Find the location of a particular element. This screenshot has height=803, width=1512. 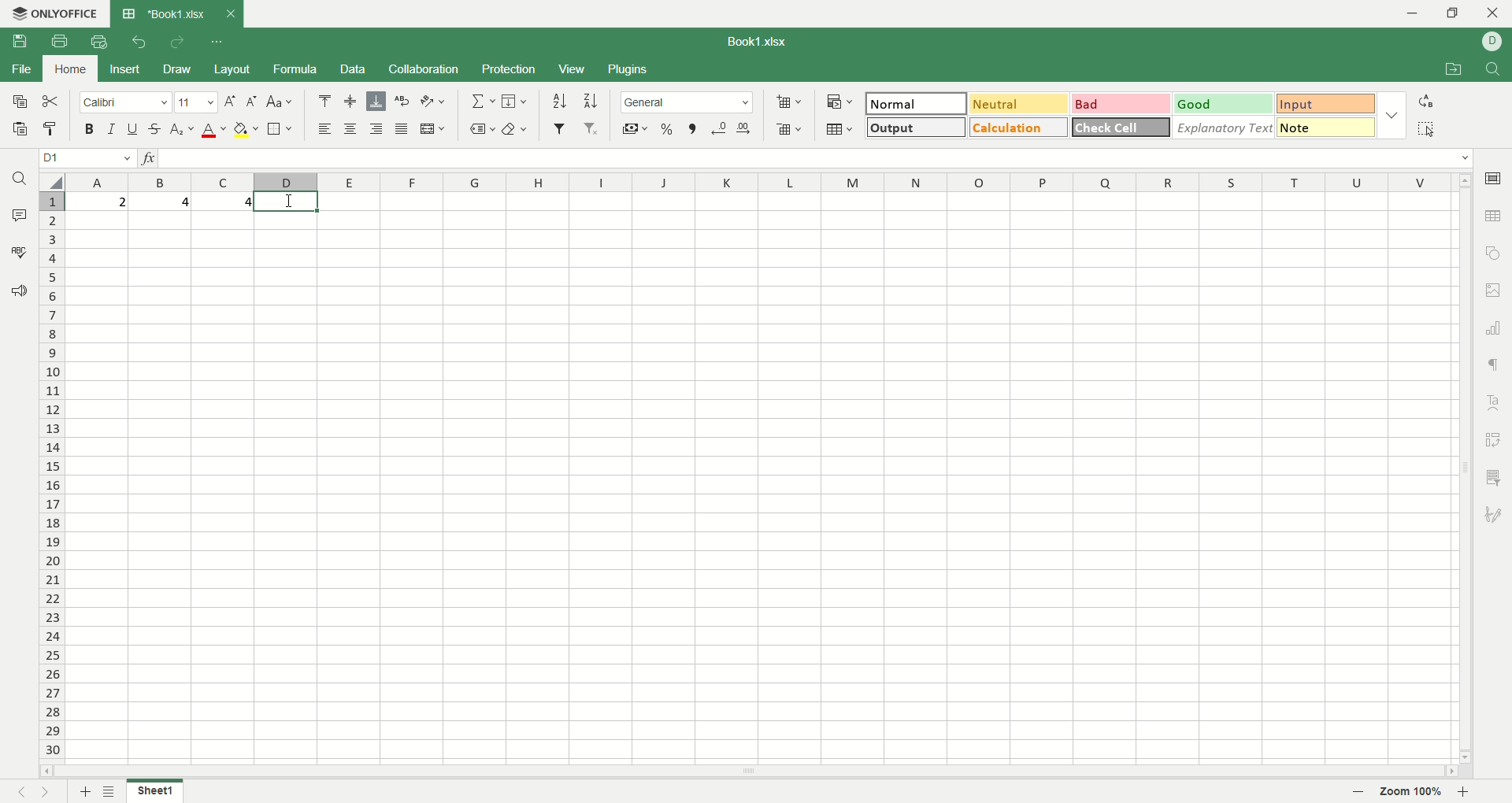

collaboration is located at coordinates (426, 68).